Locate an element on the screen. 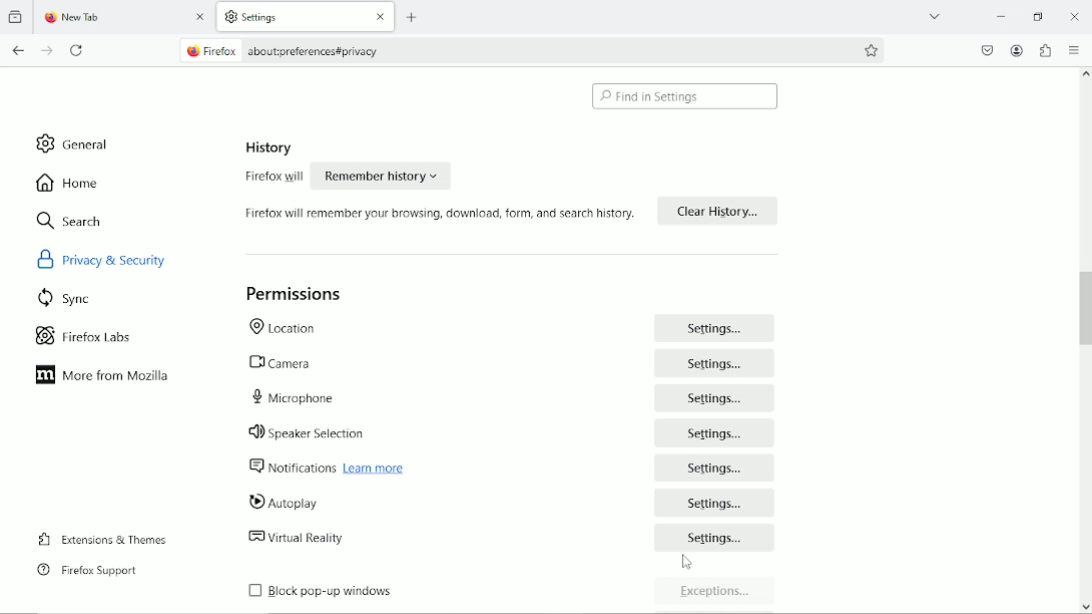  new tab is located at coordinates (97, 18).